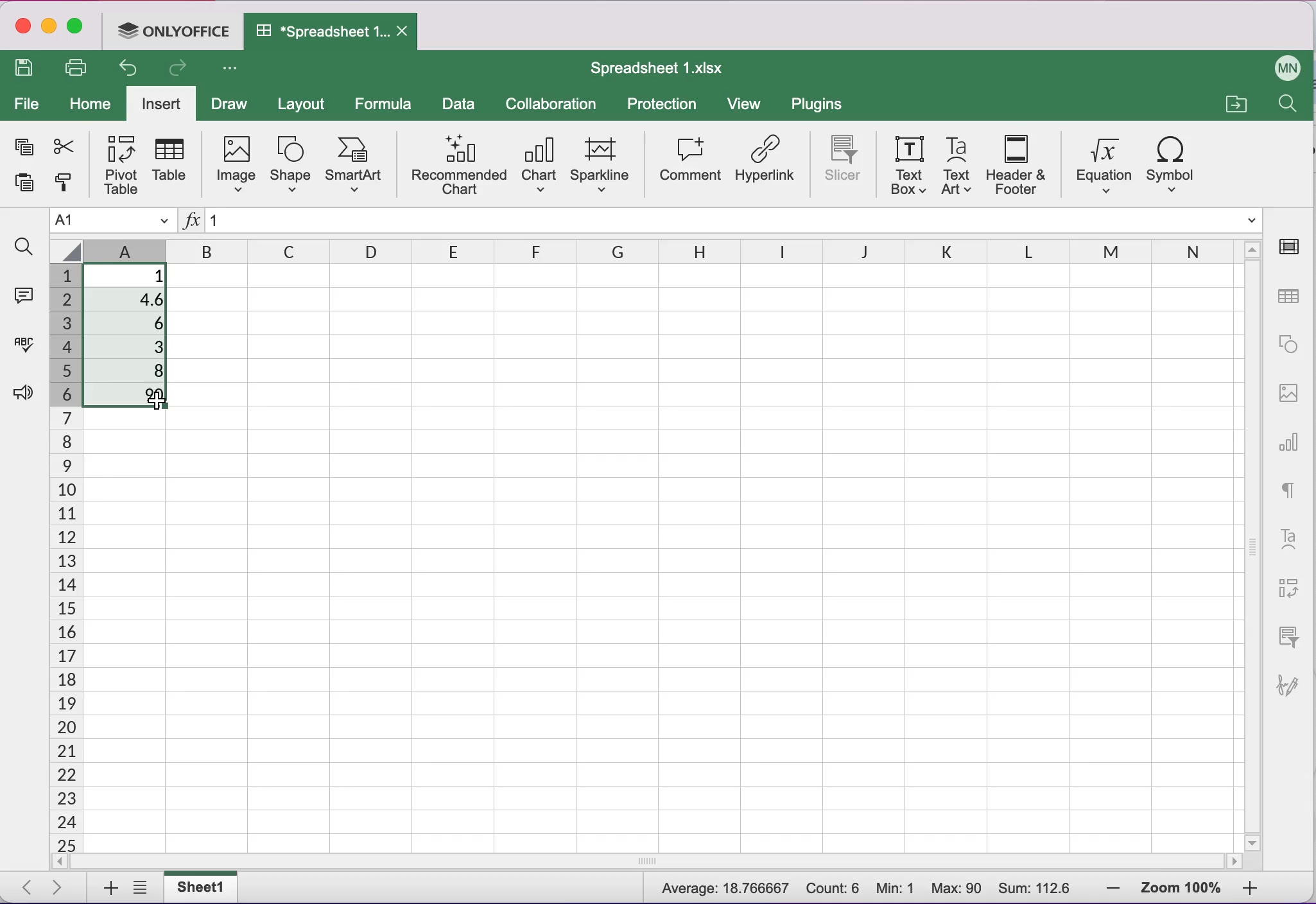 This screenshot has width=1316, height=904. I want to click on User name, so click(1283, 67).